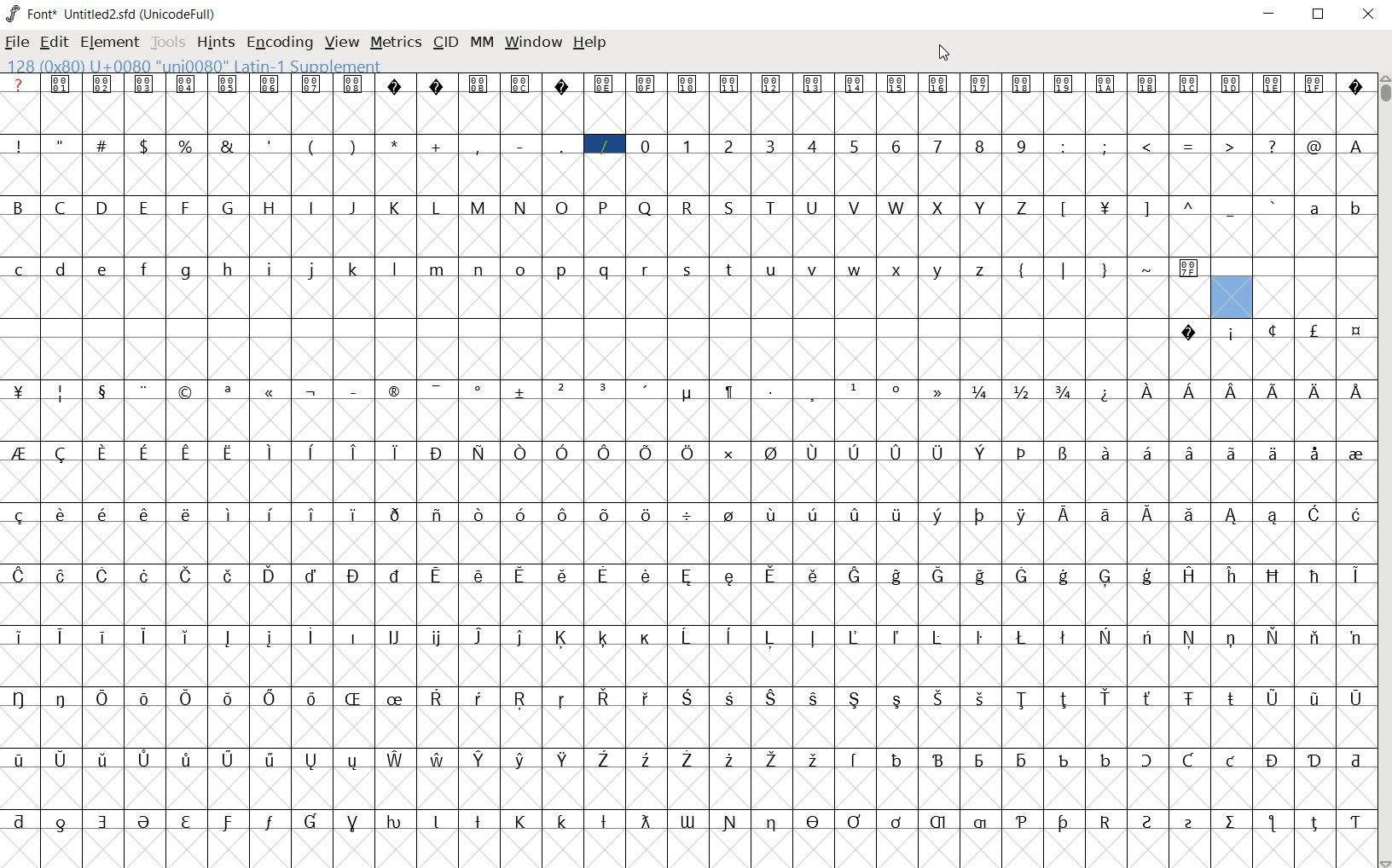 The width and height of the screenshot is (1392, 868). Describe the element at coordinates (519, 822) in the screenshot. I see `glyph` at that location.